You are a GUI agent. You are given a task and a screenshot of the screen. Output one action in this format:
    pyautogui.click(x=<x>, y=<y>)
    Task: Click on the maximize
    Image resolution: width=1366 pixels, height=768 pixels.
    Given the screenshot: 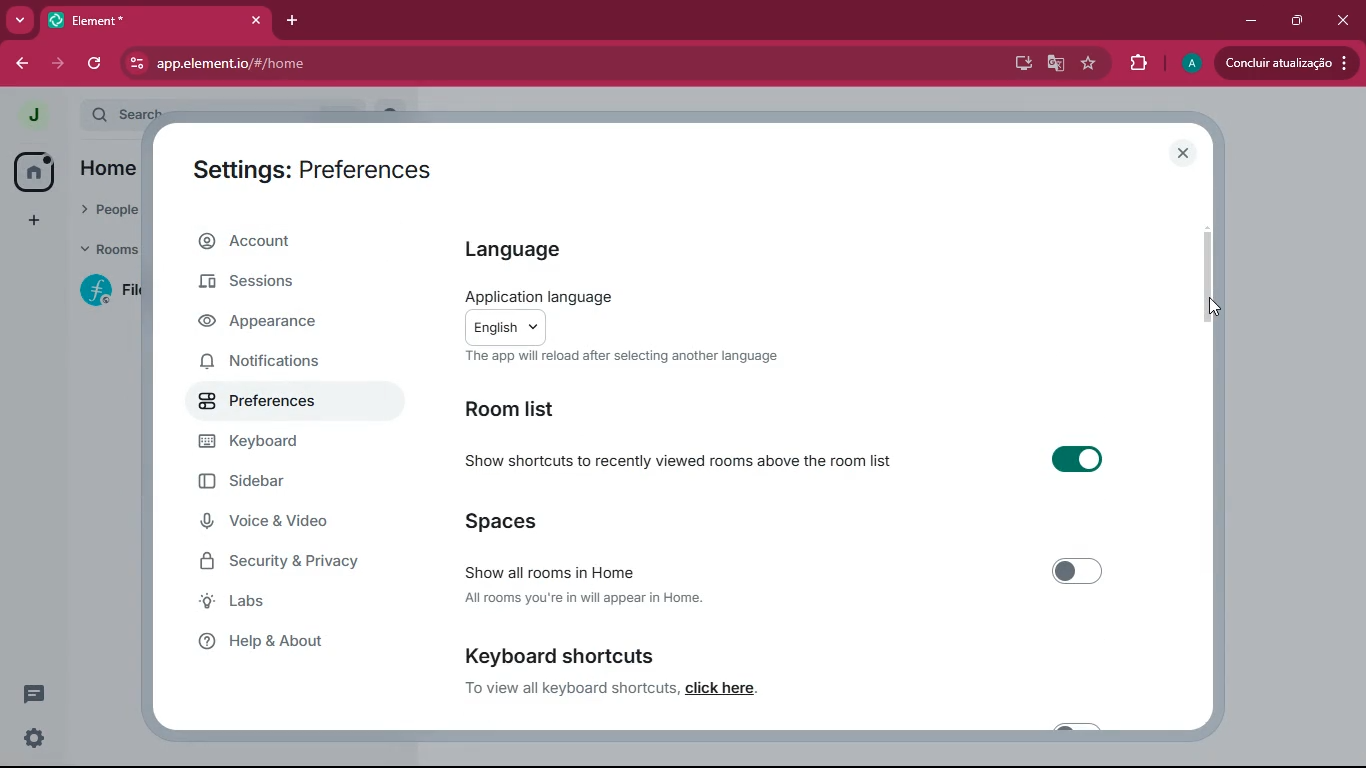 What is the action you would take?
    pyautogui.click(x=1299, y=19)
    